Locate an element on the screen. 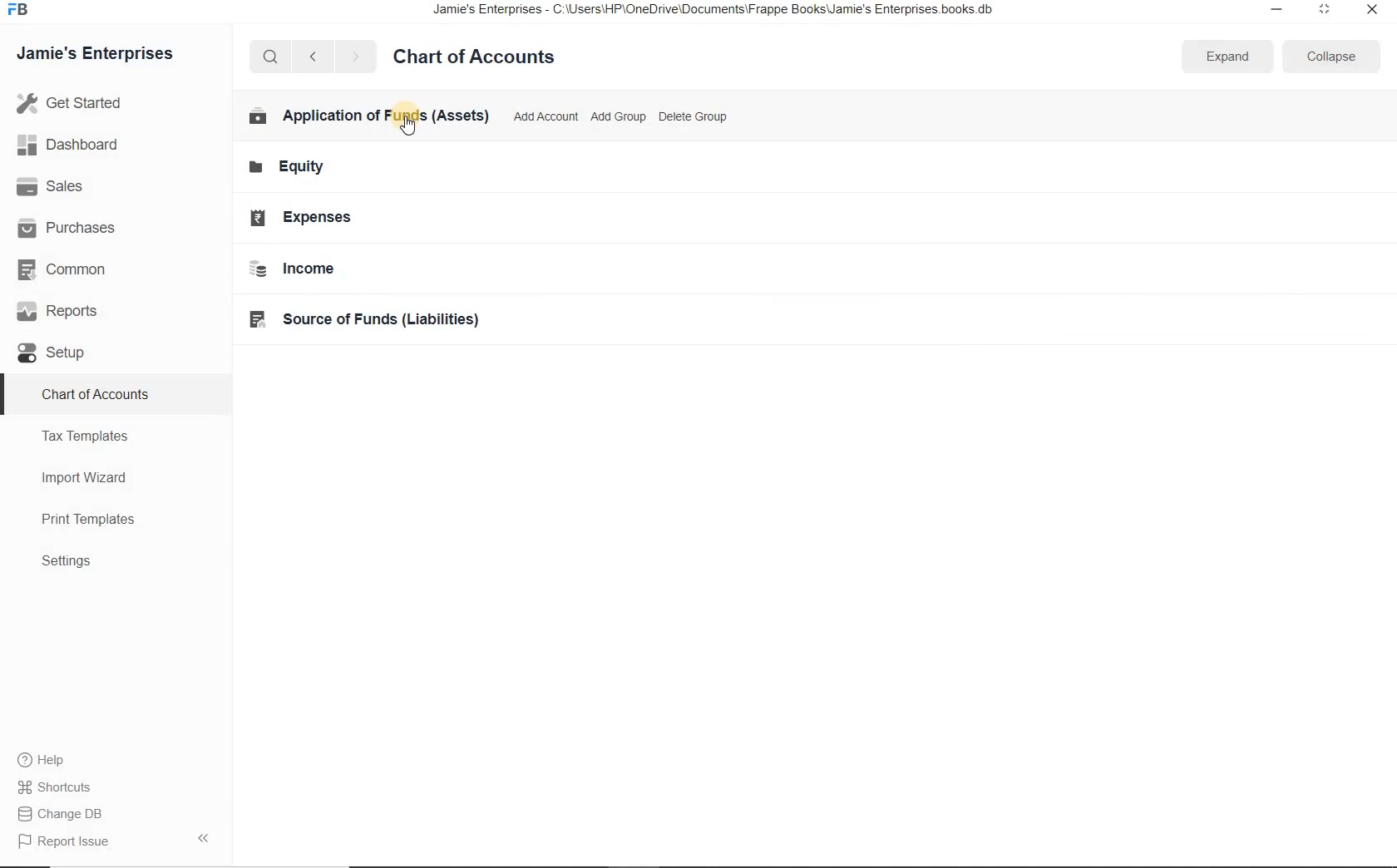 This screenshot has height=868, width=1397. Print Templates is located at coordinates (97, 520).